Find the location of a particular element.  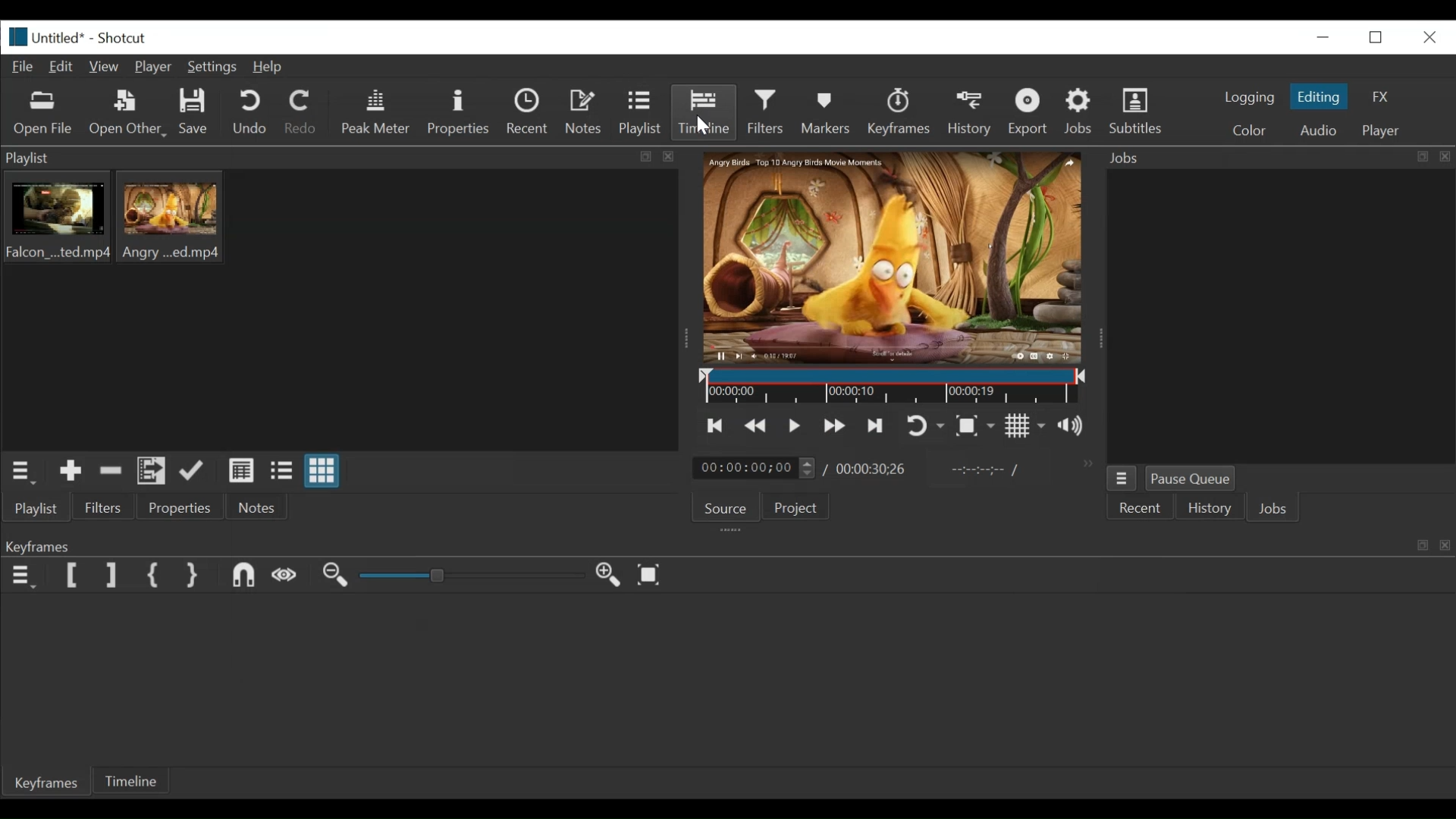

Editing is located at coordinates (1321, 96).